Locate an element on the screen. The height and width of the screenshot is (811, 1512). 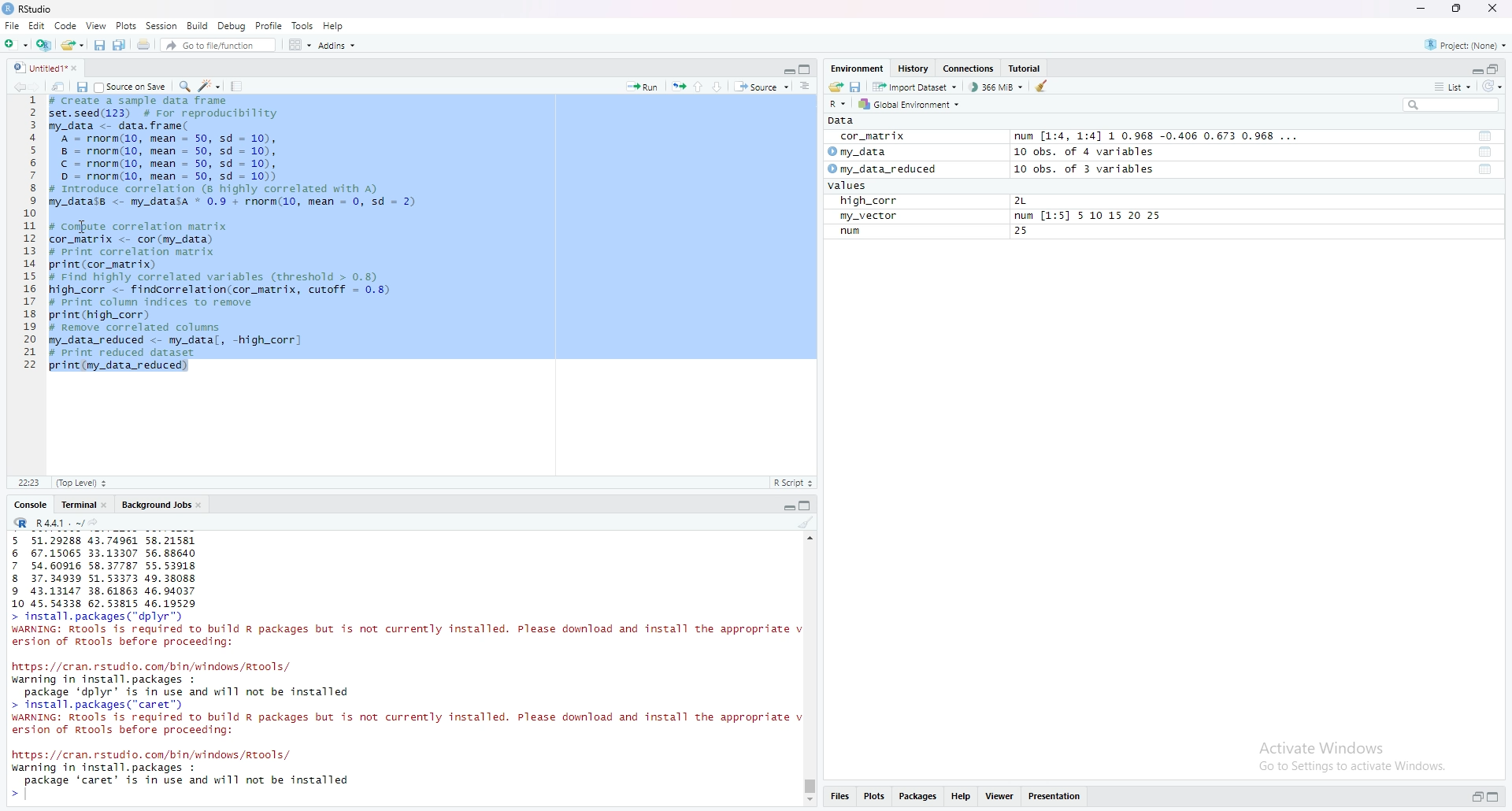
edit is located at coordinates (210, 85).